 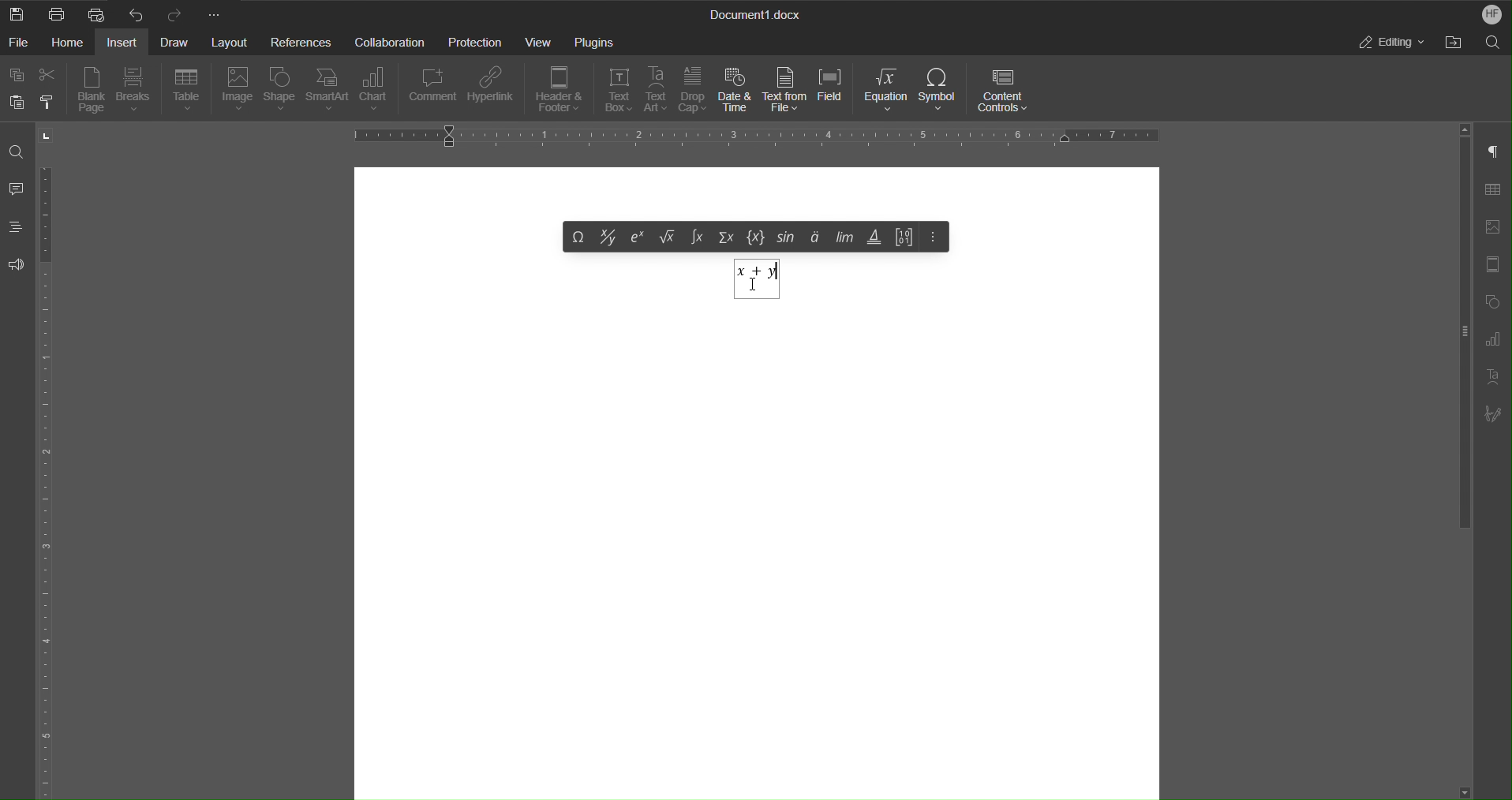 I want to click on Account, so click(x=1490, y=13).